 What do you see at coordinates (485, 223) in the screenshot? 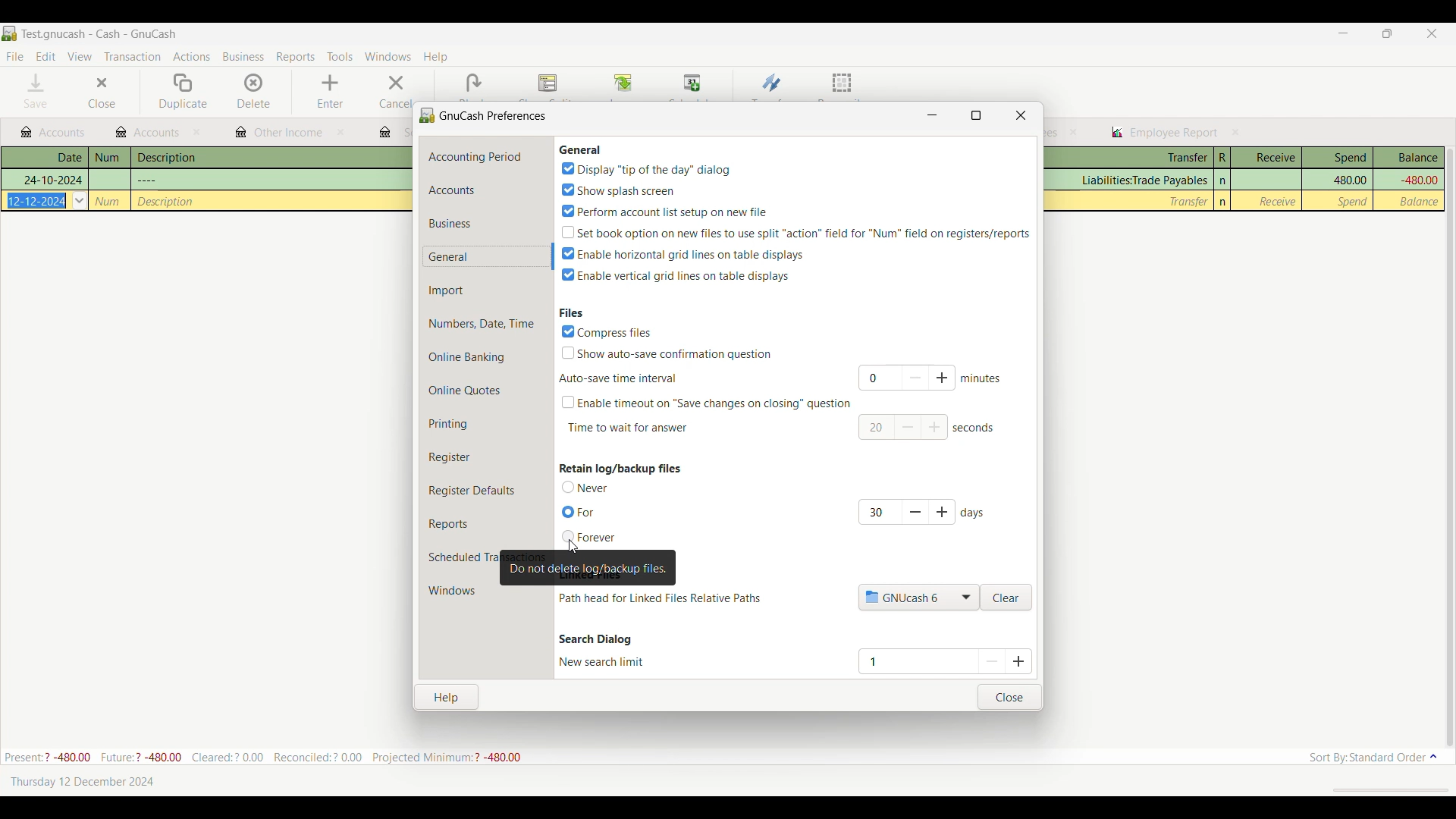
I see `Business` at bounding box center [485, 223].